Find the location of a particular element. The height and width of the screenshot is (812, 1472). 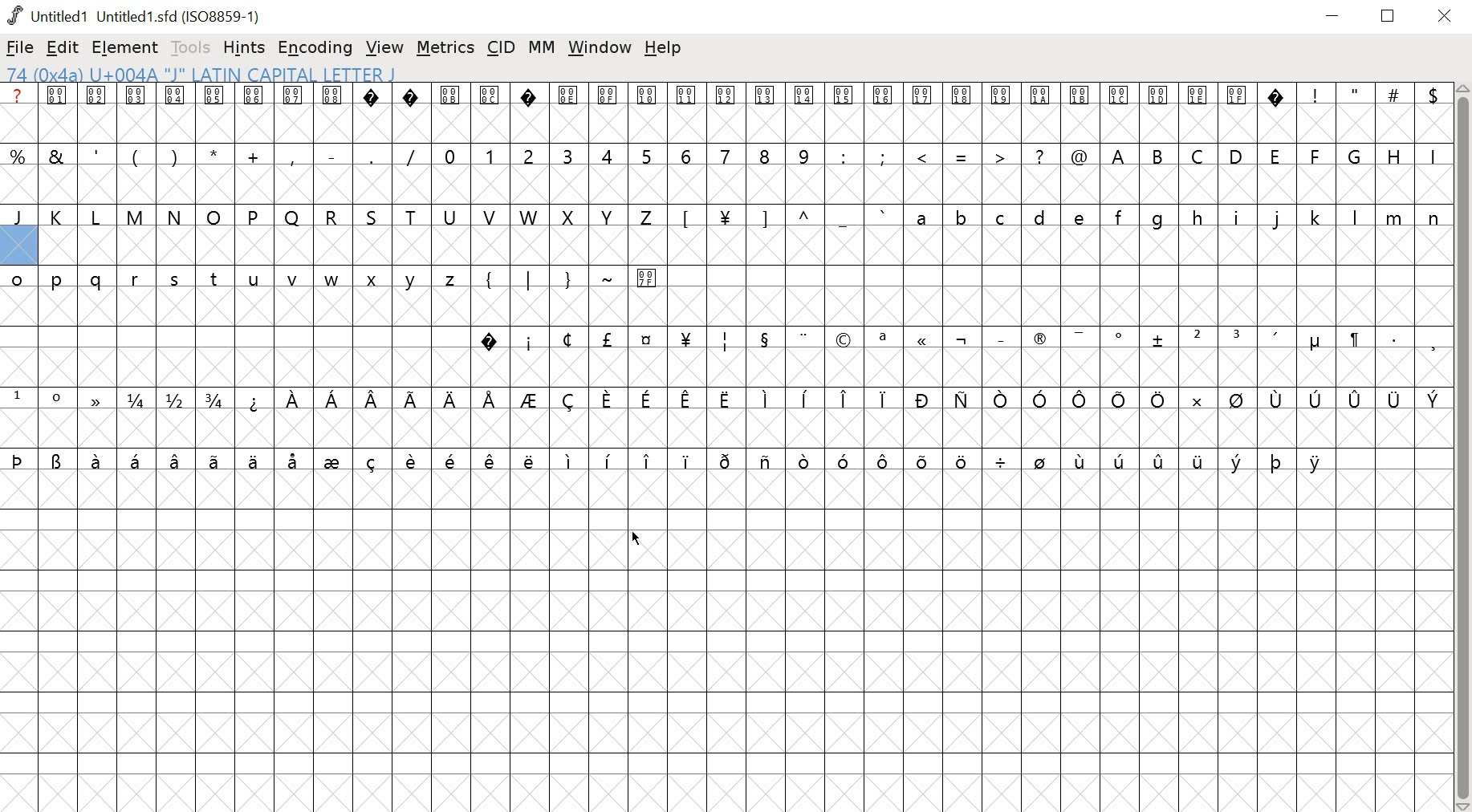

CID is located at coordinates (502, 47).